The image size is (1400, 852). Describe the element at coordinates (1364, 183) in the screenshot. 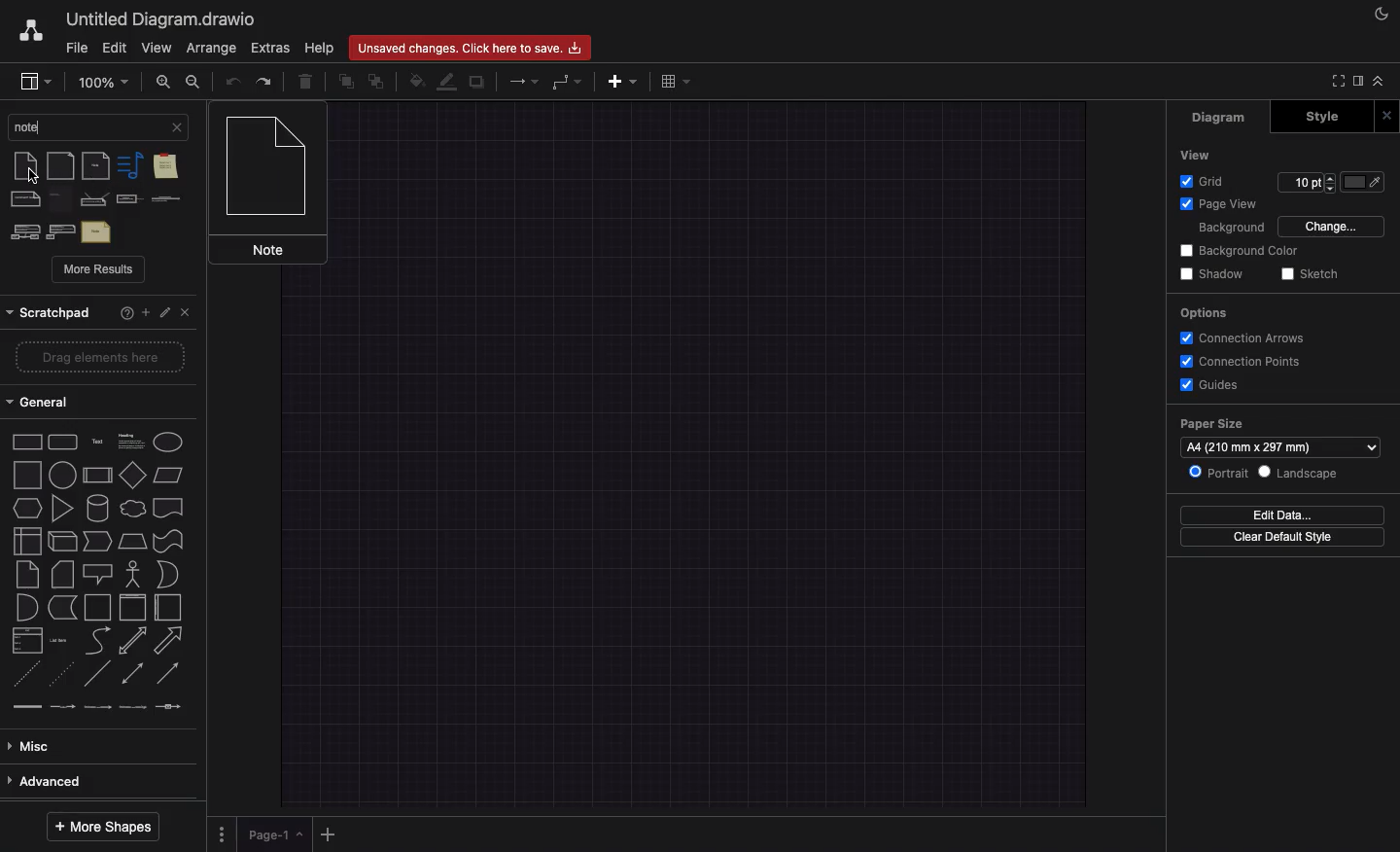

I see `Fill` at that location.